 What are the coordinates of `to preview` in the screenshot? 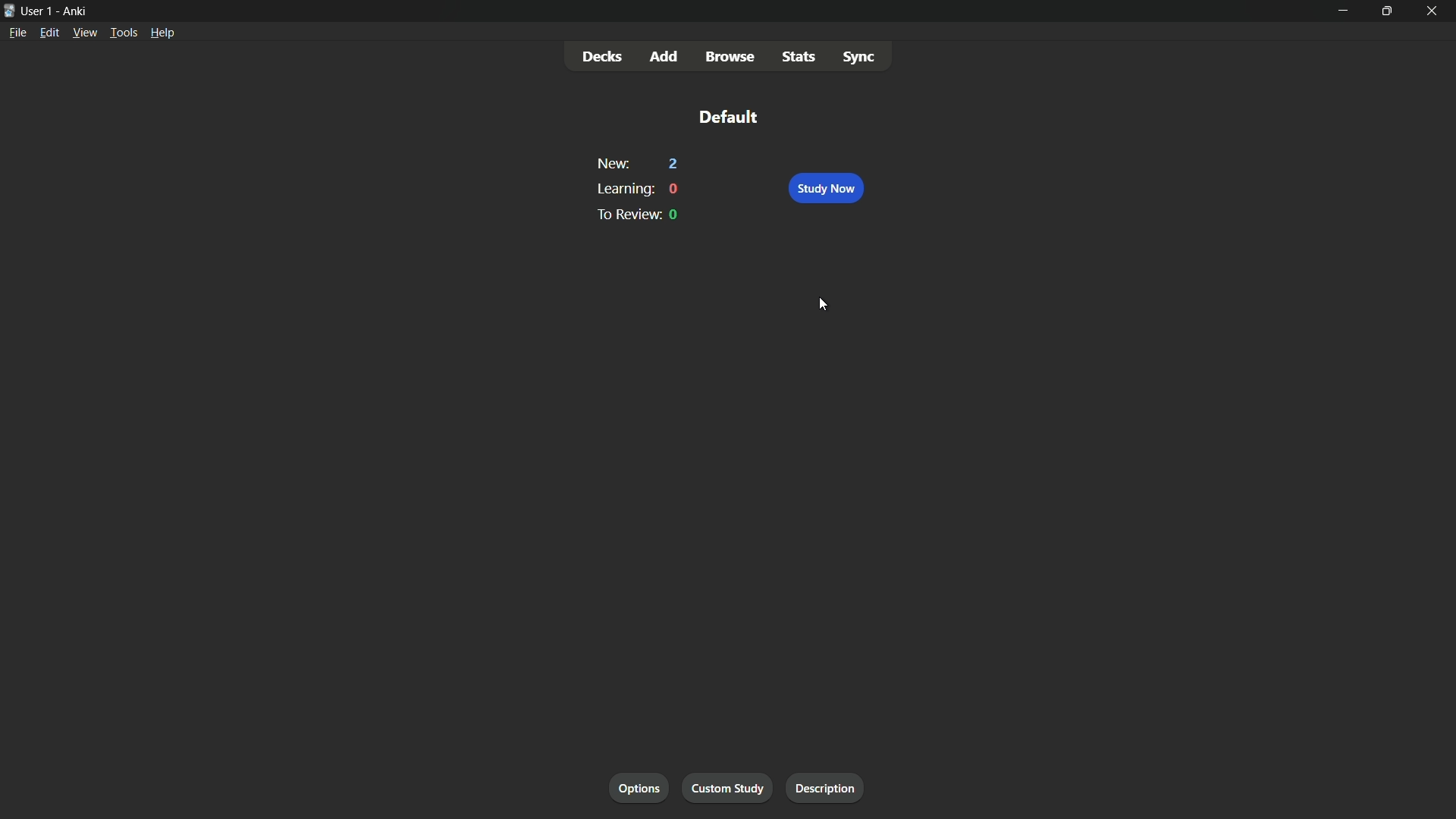 It's located at (626, 215).